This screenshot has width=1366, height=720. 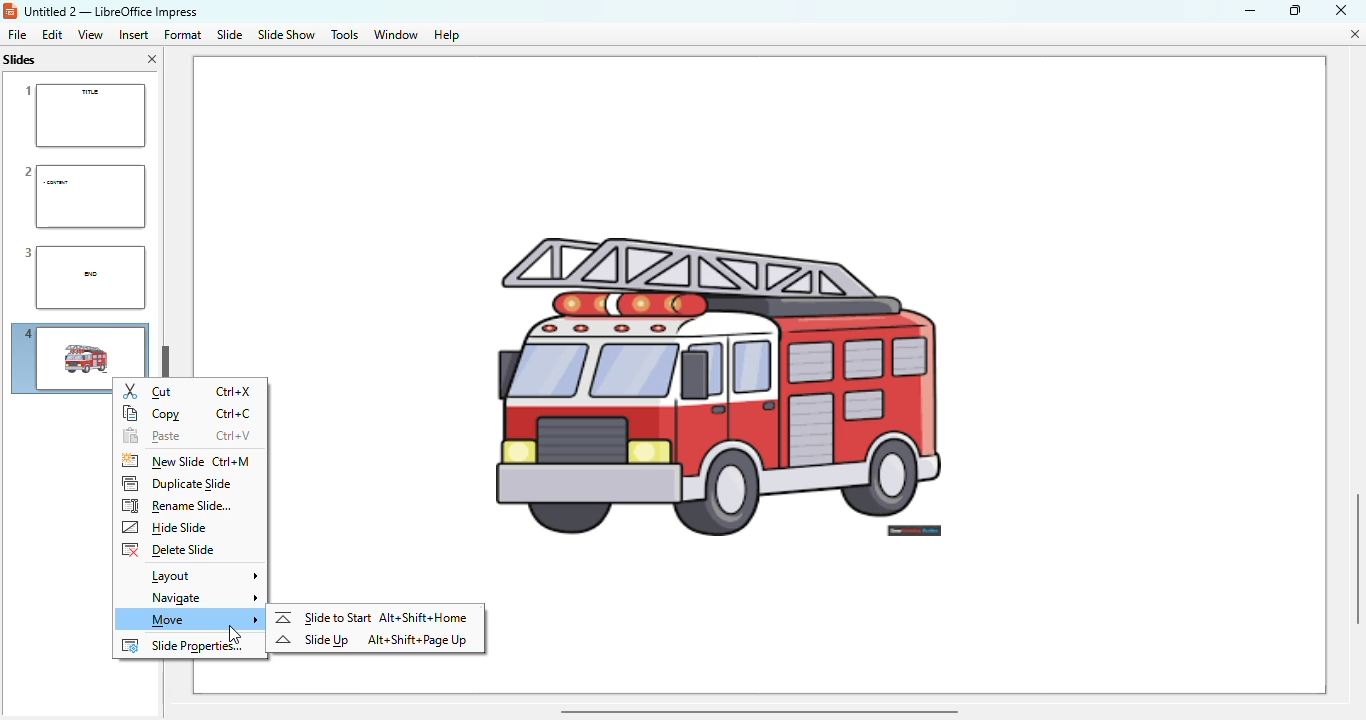 I want to click on cut, so click(x=149, y=391).